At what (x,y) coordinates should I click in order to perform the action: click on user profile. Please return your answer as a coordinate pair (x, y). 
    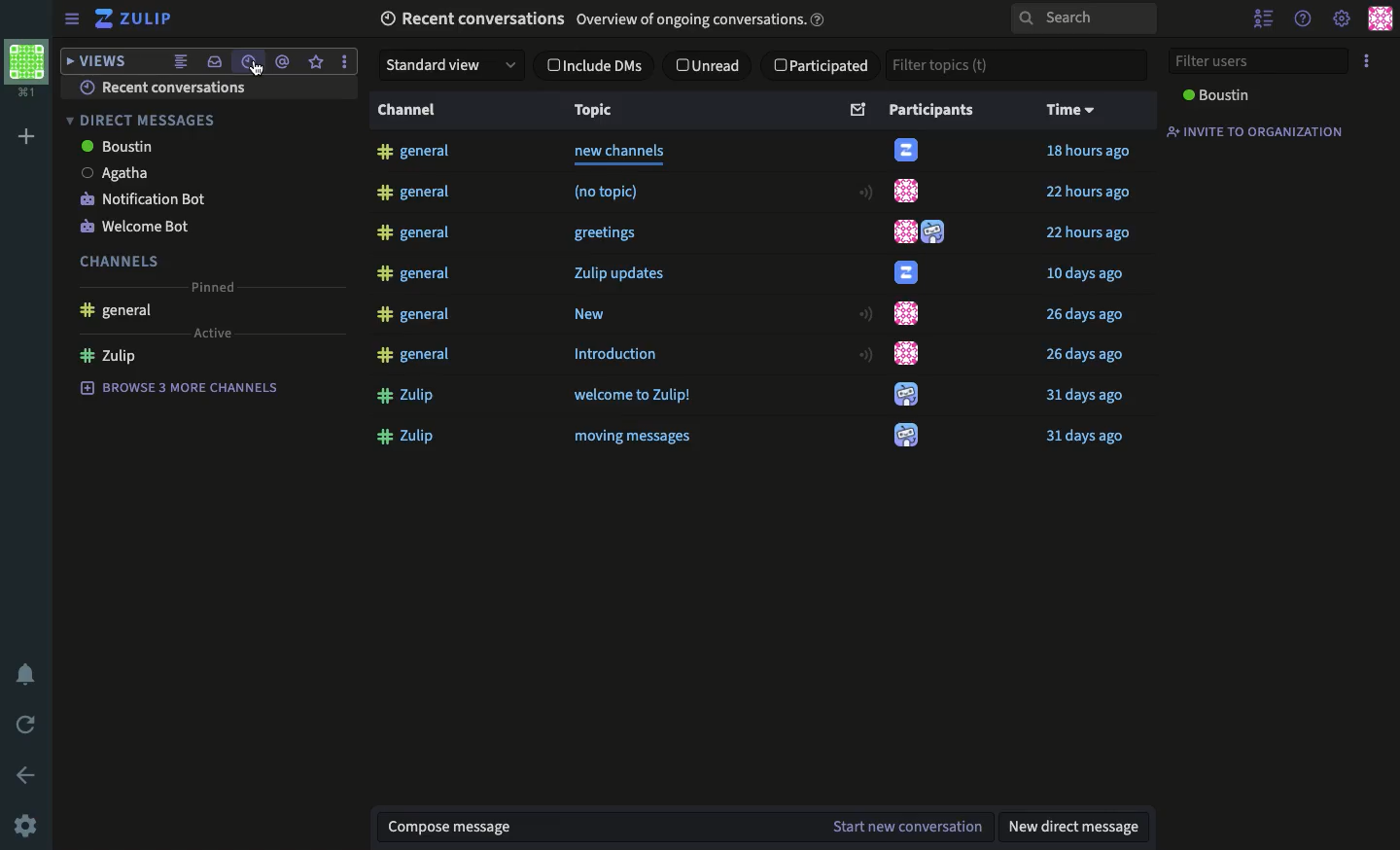
    Looking at the image, I should click on (908, 436).